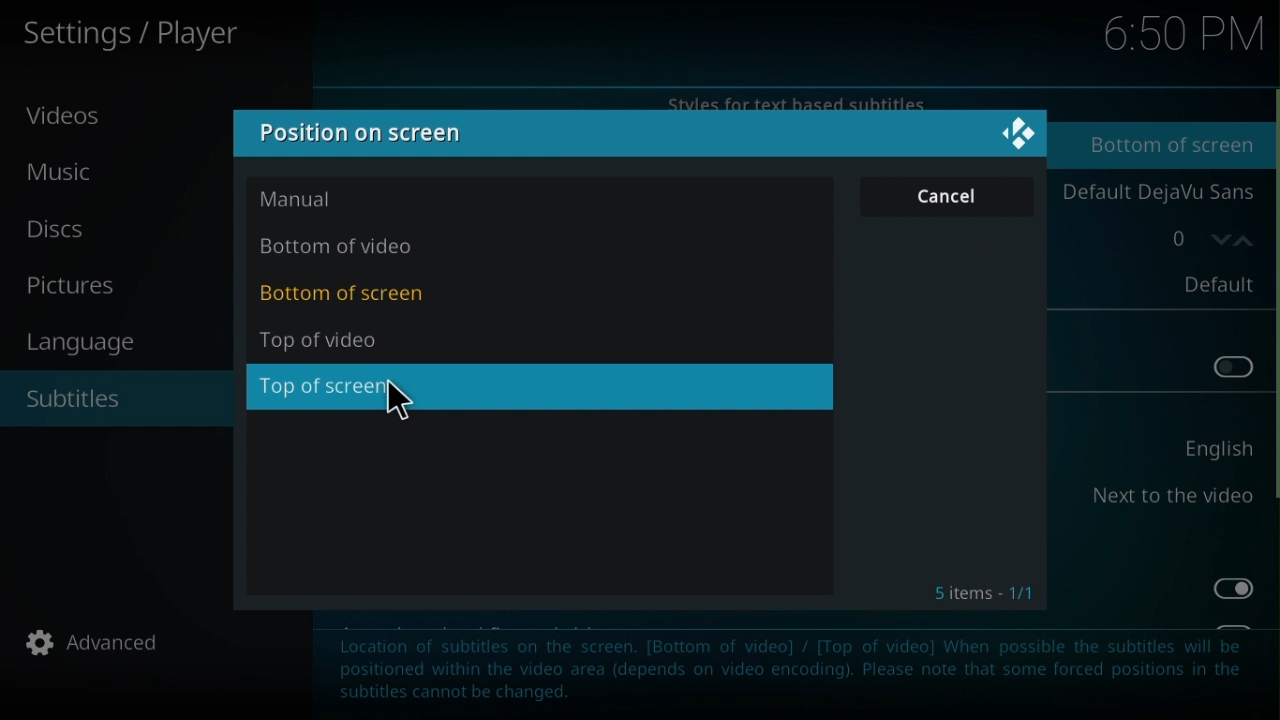 This screenshot has height=720, width=1280. What do you see at coordinates (788, 98) in the screenshot?
I see `Styles for text based` at bounding box center [788, 98].